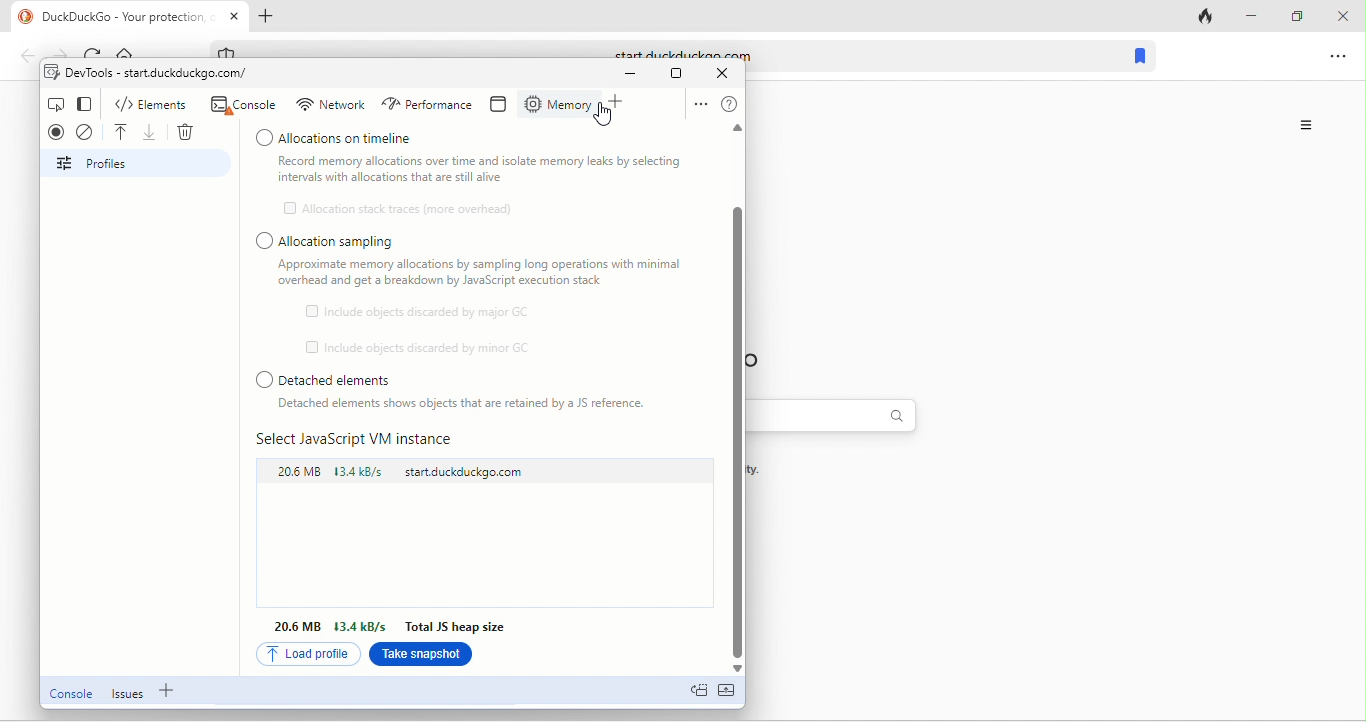  Describe the element at coordinates (184, 130) in the screenshot. I see `delete` at that location.